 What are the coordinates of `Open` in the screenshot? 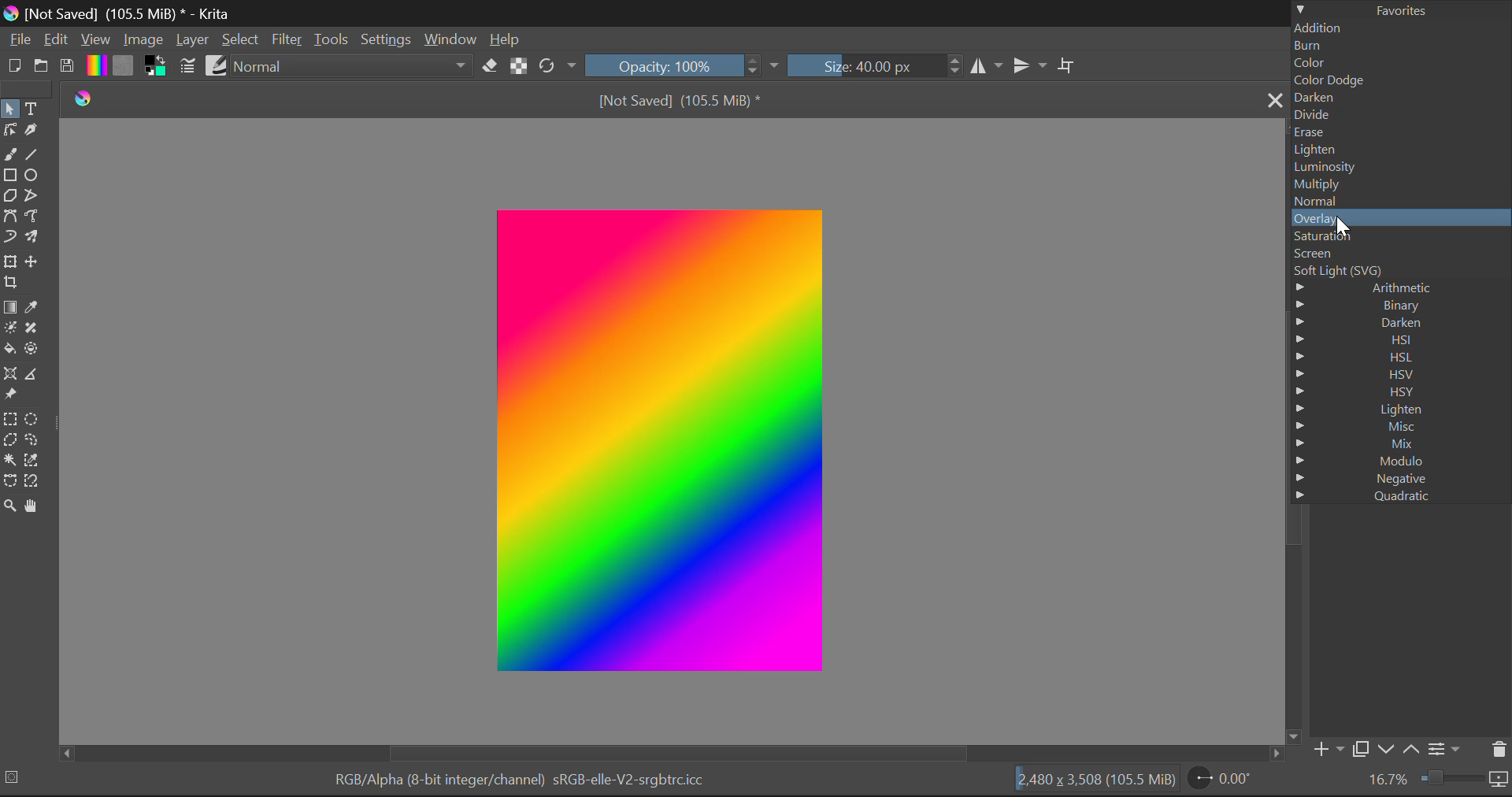 It's located at (44, 65).